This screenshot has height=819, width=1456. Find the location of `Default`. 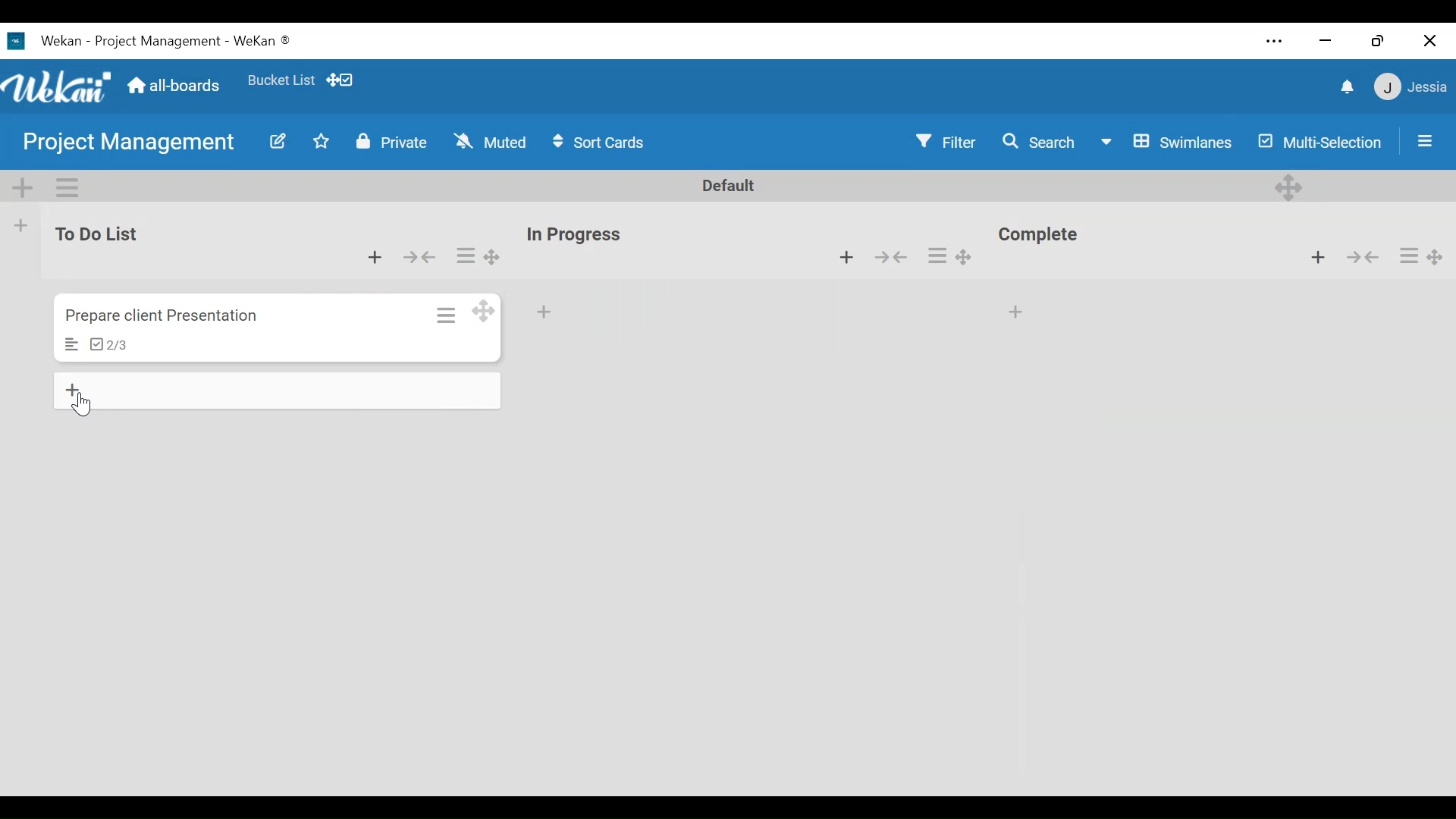

Default is located at coordinates (730, 187).